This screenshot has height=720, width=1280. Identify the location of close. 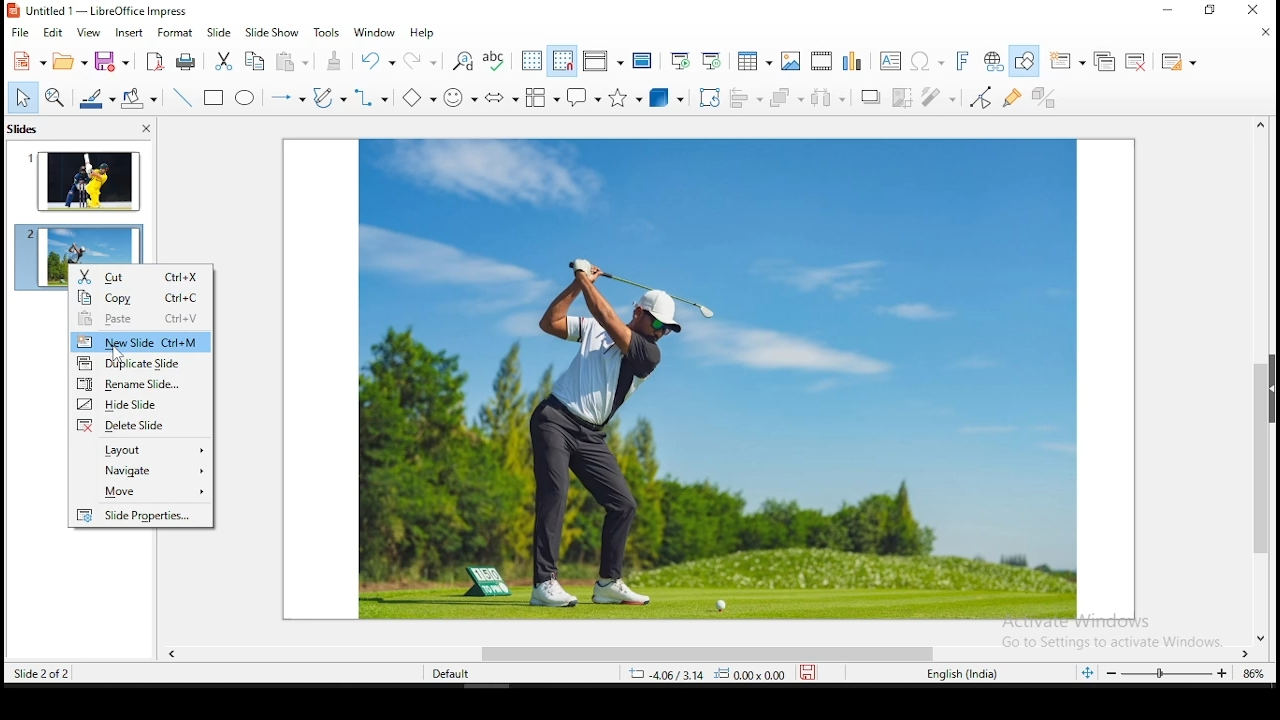
(1263, 34).